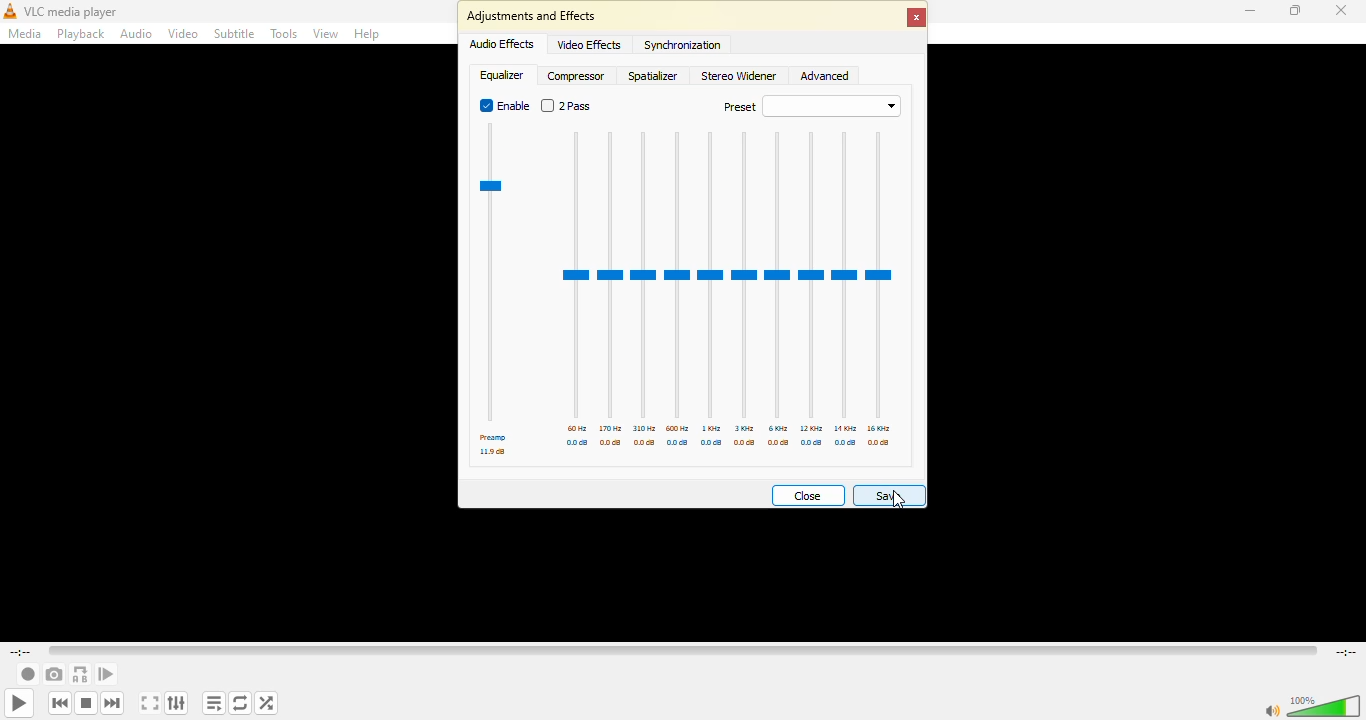  What do you see at coordinates (183, 35) in the screenshot?
I see `video` at bounding box center [183, 35].